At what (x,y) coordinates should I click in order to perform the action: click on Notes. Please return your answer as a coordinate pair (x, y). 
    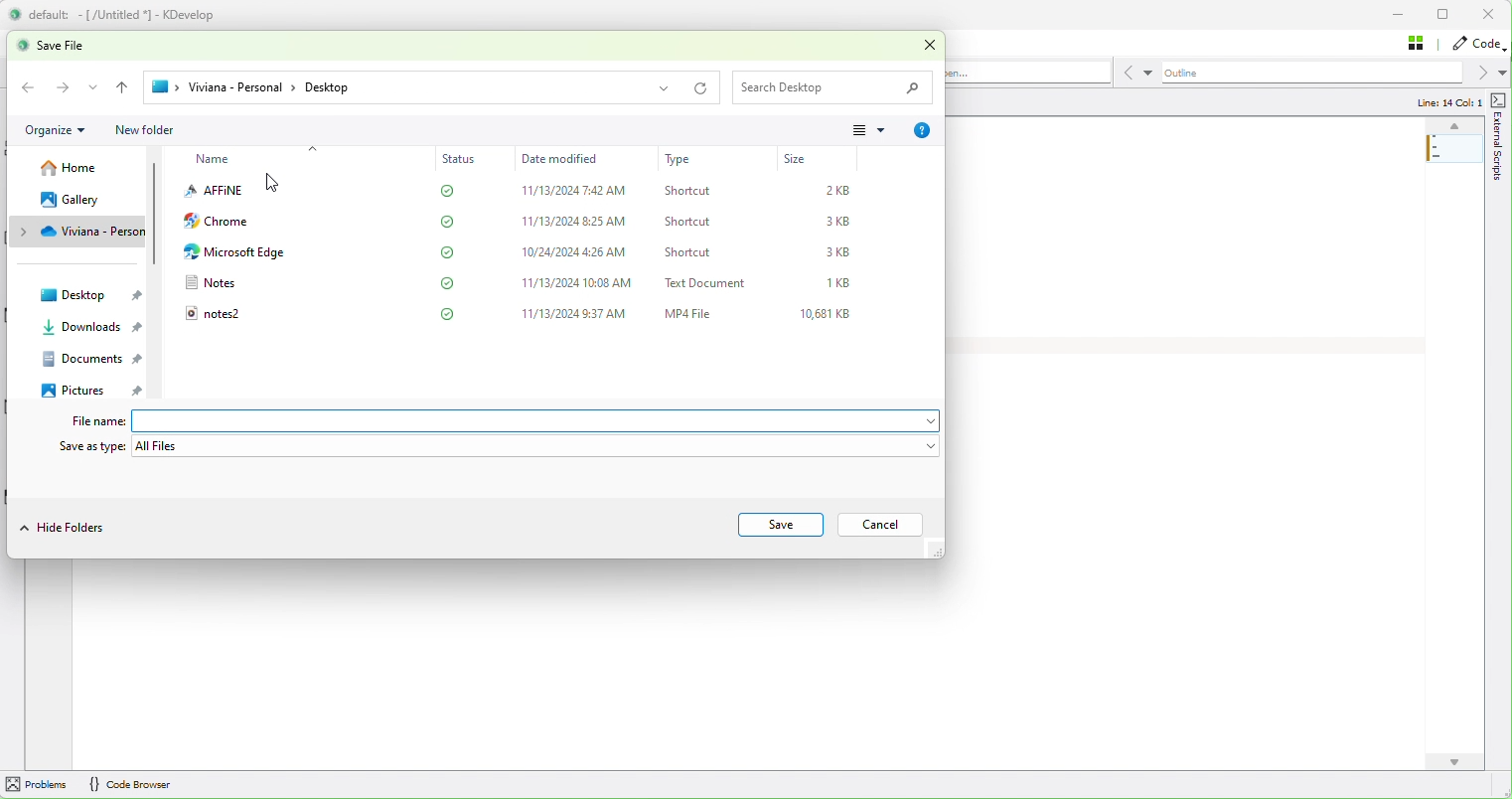
    Looking at the image, I should click on (211, 281).